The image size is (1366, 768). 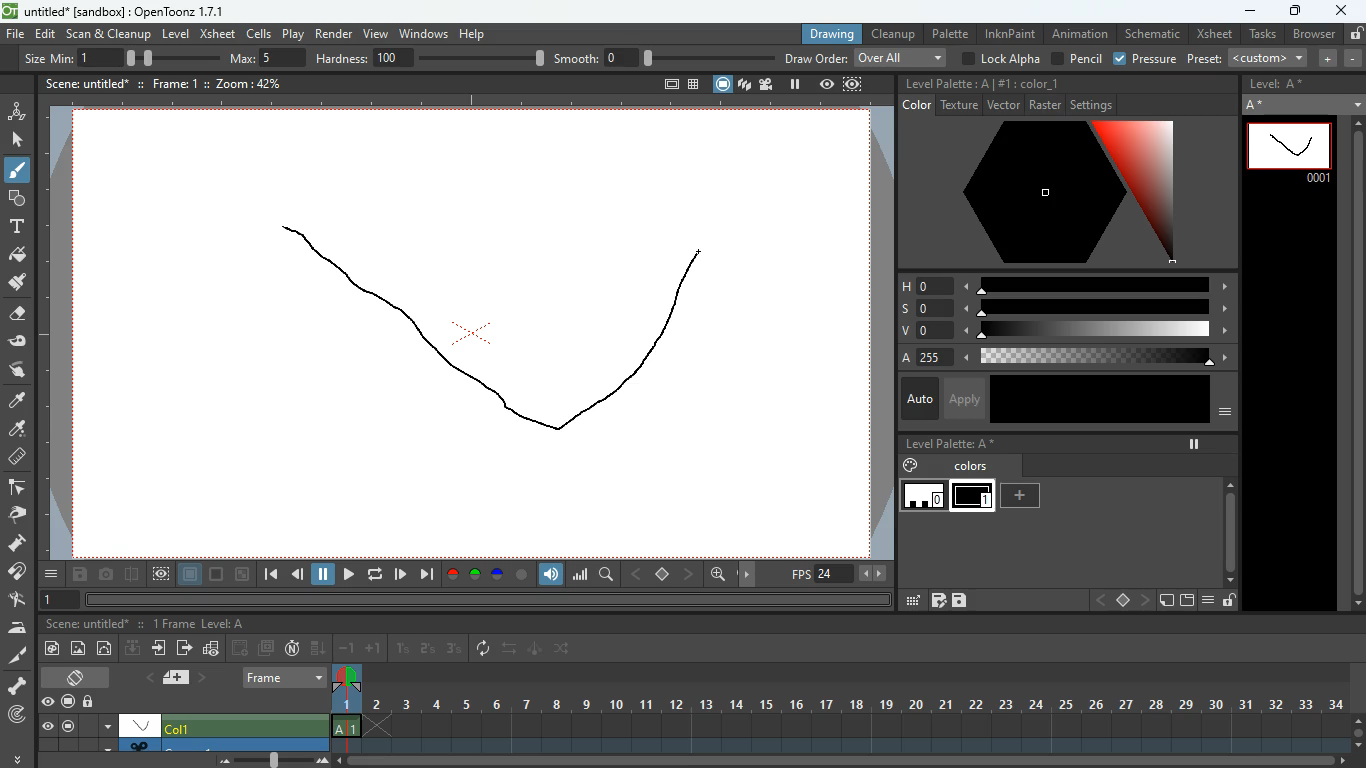 What do you see at coordinates (319, 647) in the screenshot?
I see `down` at bounding box center [319, 647].